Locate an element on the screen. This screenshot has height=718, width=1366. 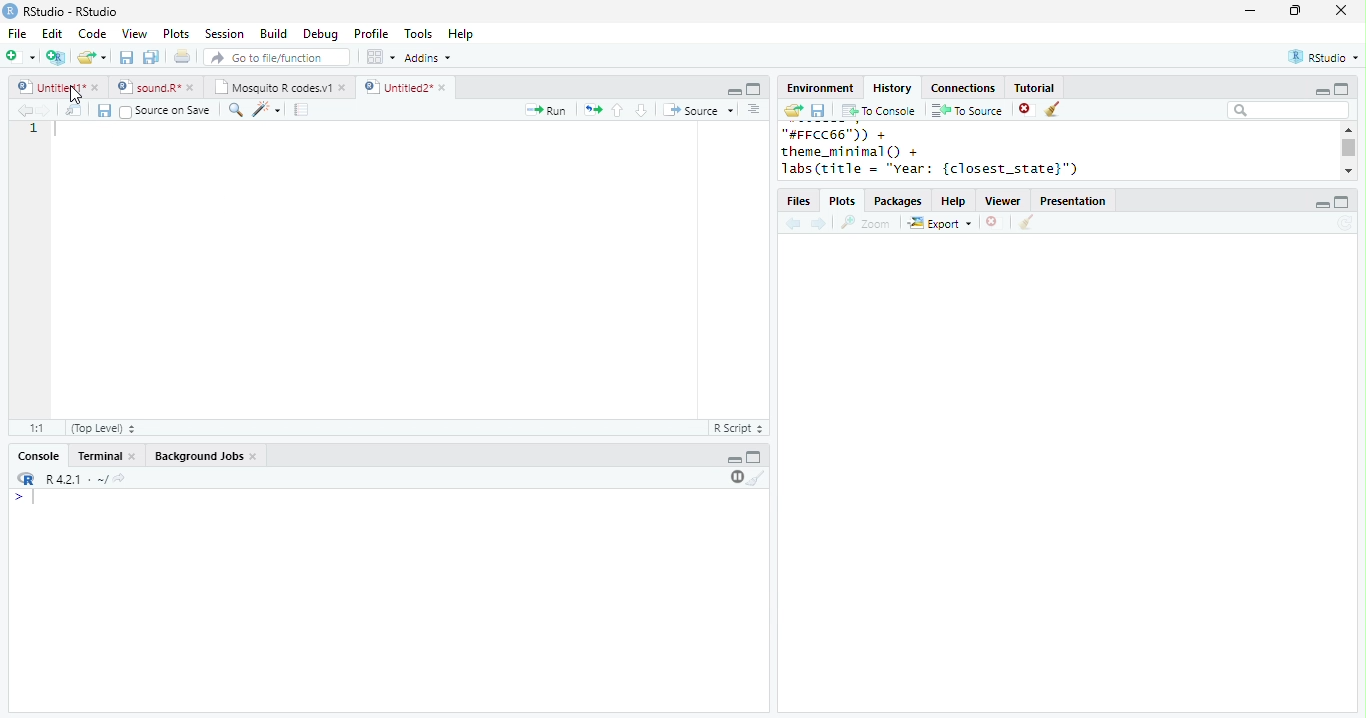
sound.R is located at coordinates (149, 87).